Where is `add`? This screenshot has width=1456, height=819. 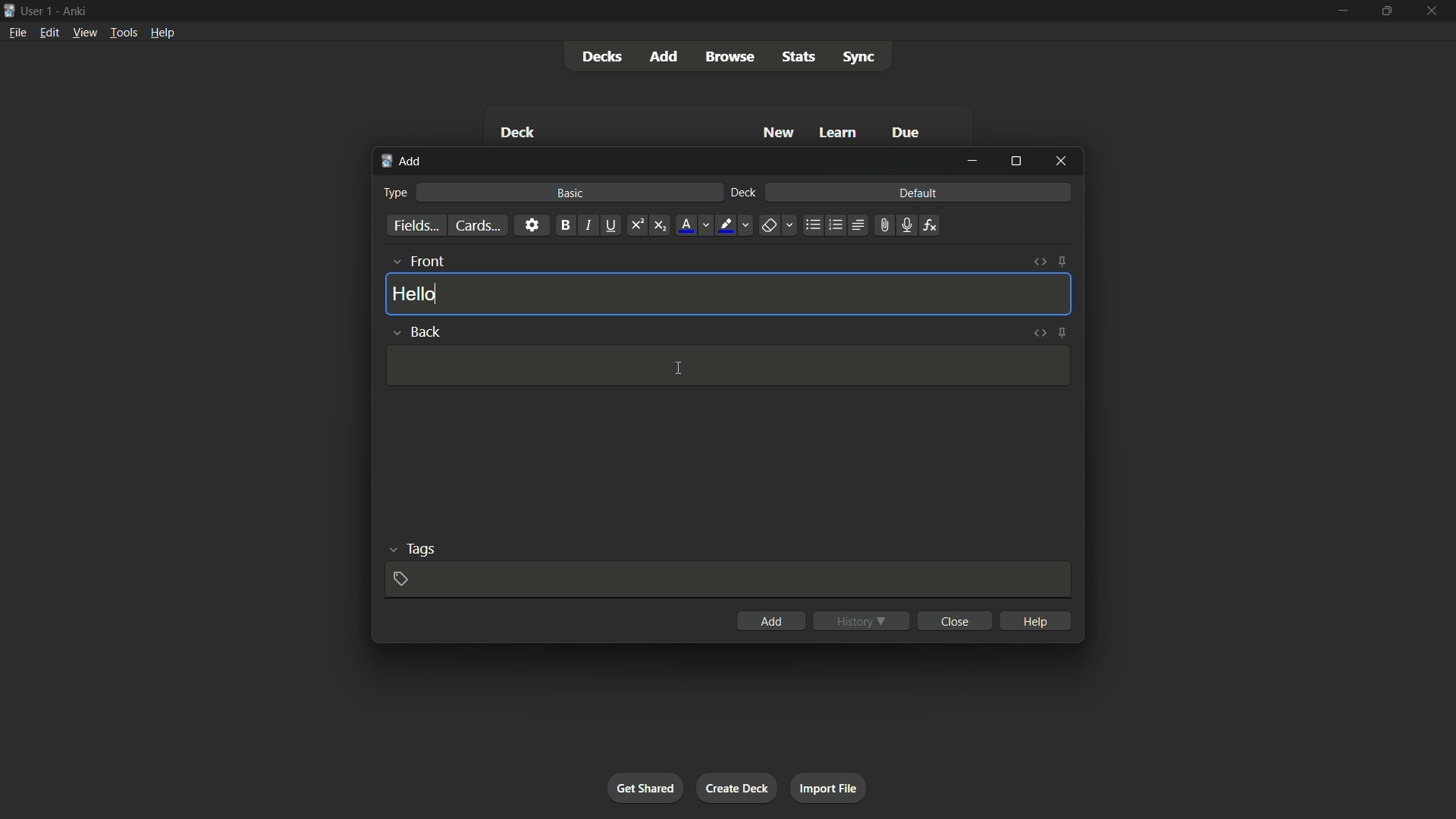
add is located at coordinates (665, 57).